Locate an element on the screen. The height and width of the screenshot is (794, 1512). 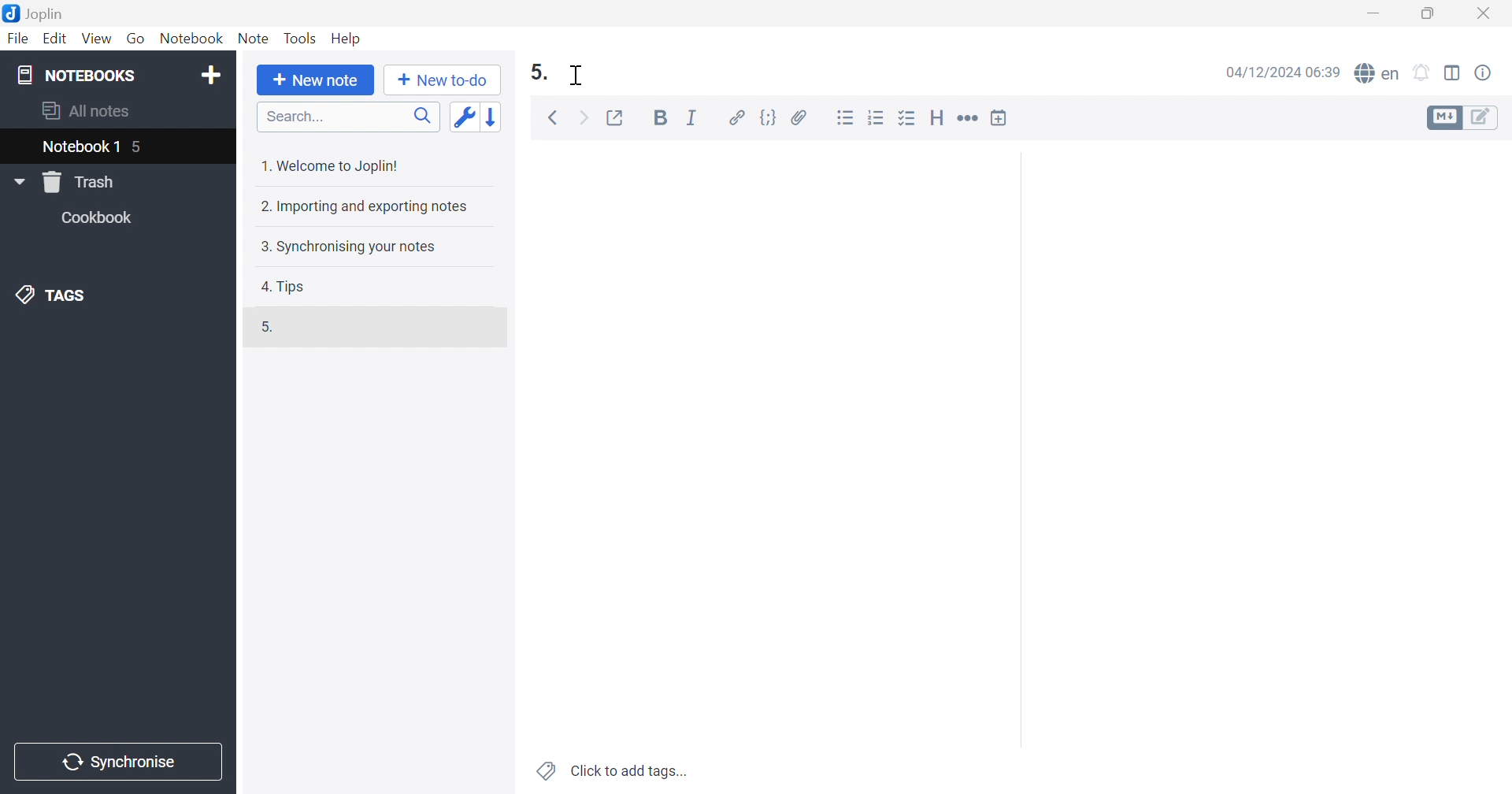
Edit is located at coordinates (55, 38).